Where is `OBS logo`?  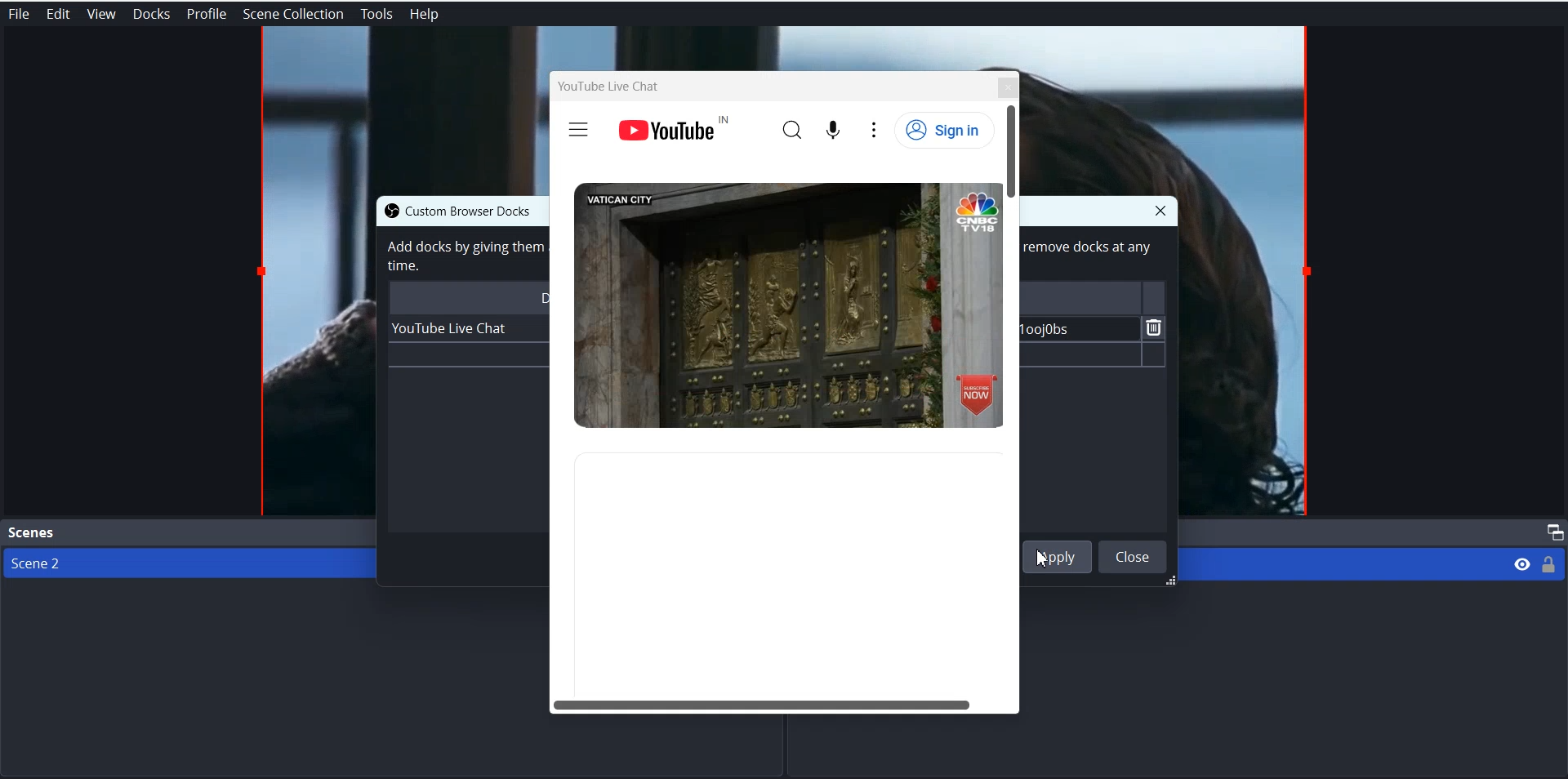 OBS logo is located at coordinates (387, 211).